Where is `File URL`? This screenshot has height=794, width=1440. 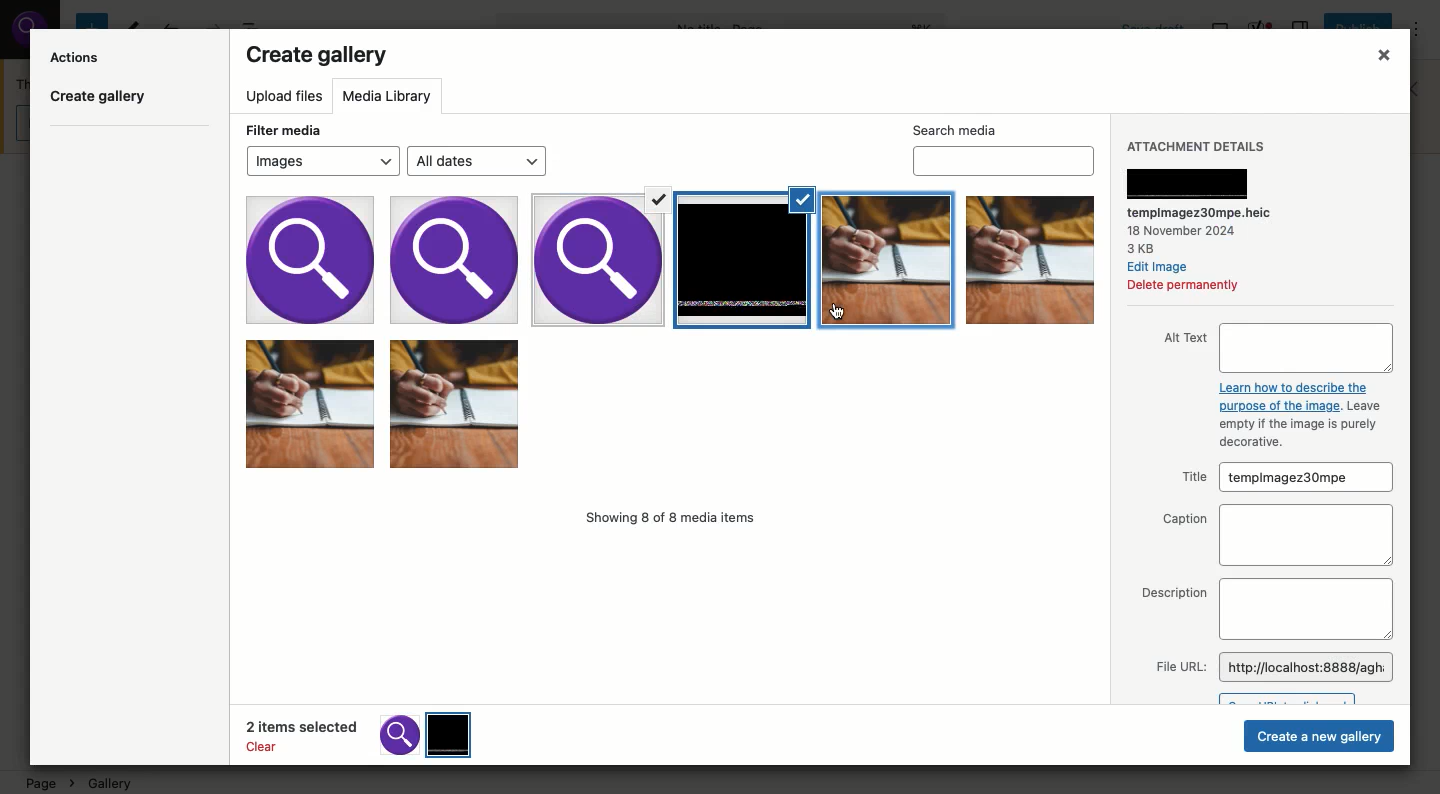
File URL is located at coordinates (1271, 667).